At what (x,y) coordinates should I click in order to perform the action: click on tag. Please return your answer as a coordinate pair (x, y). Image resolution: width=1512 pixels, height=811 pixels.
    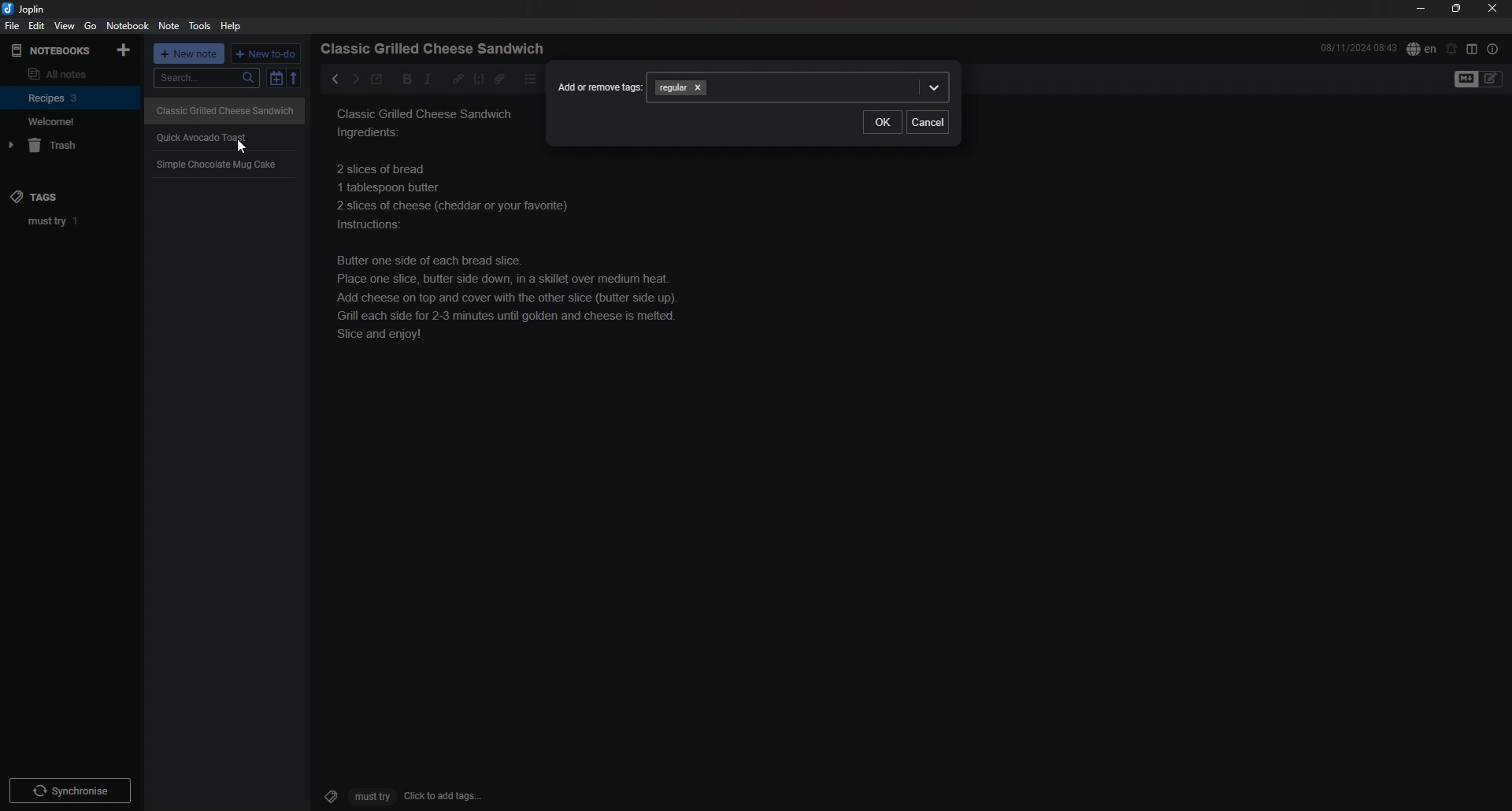
    Looking at the image, I should click on (75, 220).